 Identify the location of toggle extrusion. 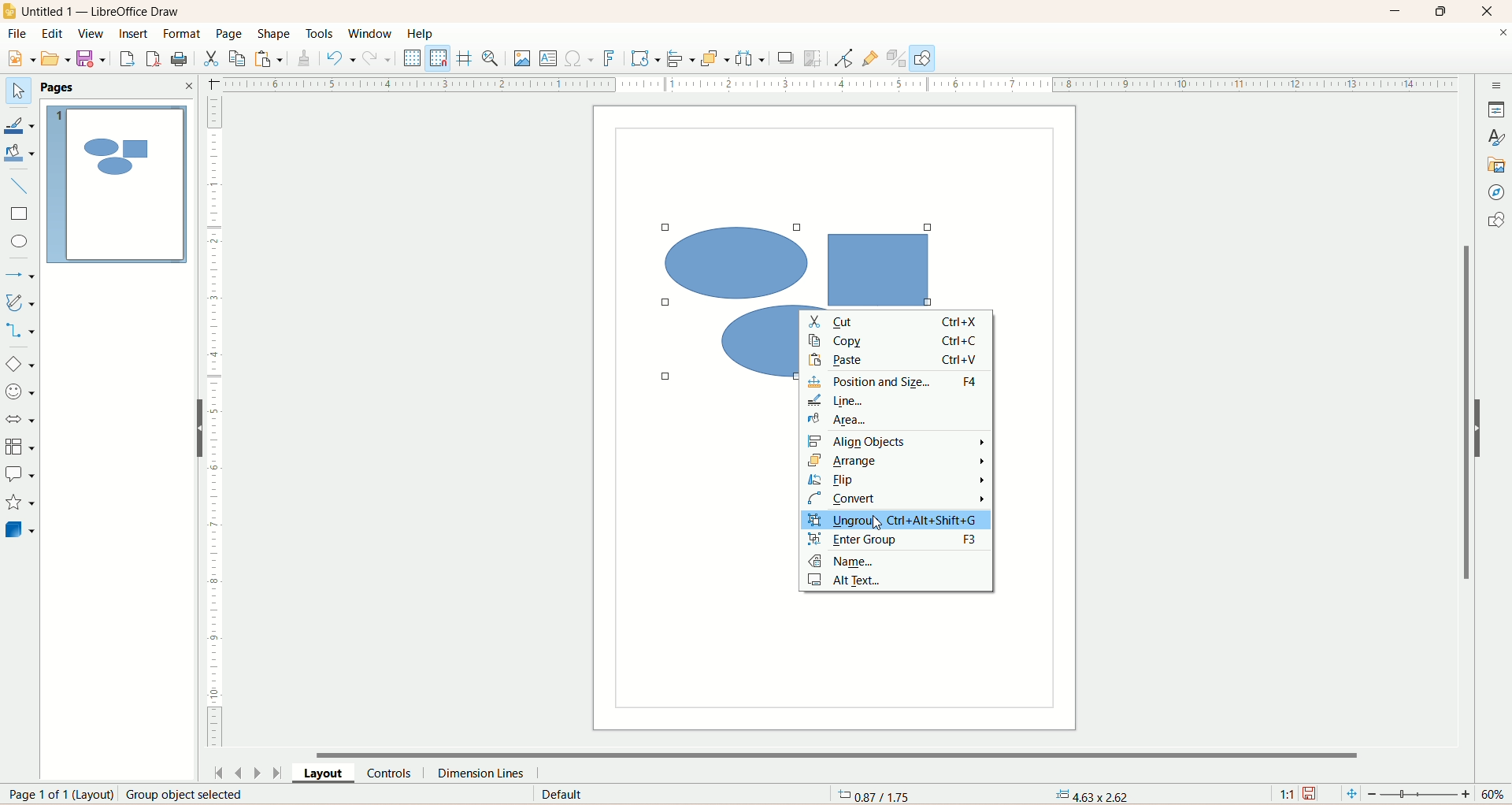
(895, 59).